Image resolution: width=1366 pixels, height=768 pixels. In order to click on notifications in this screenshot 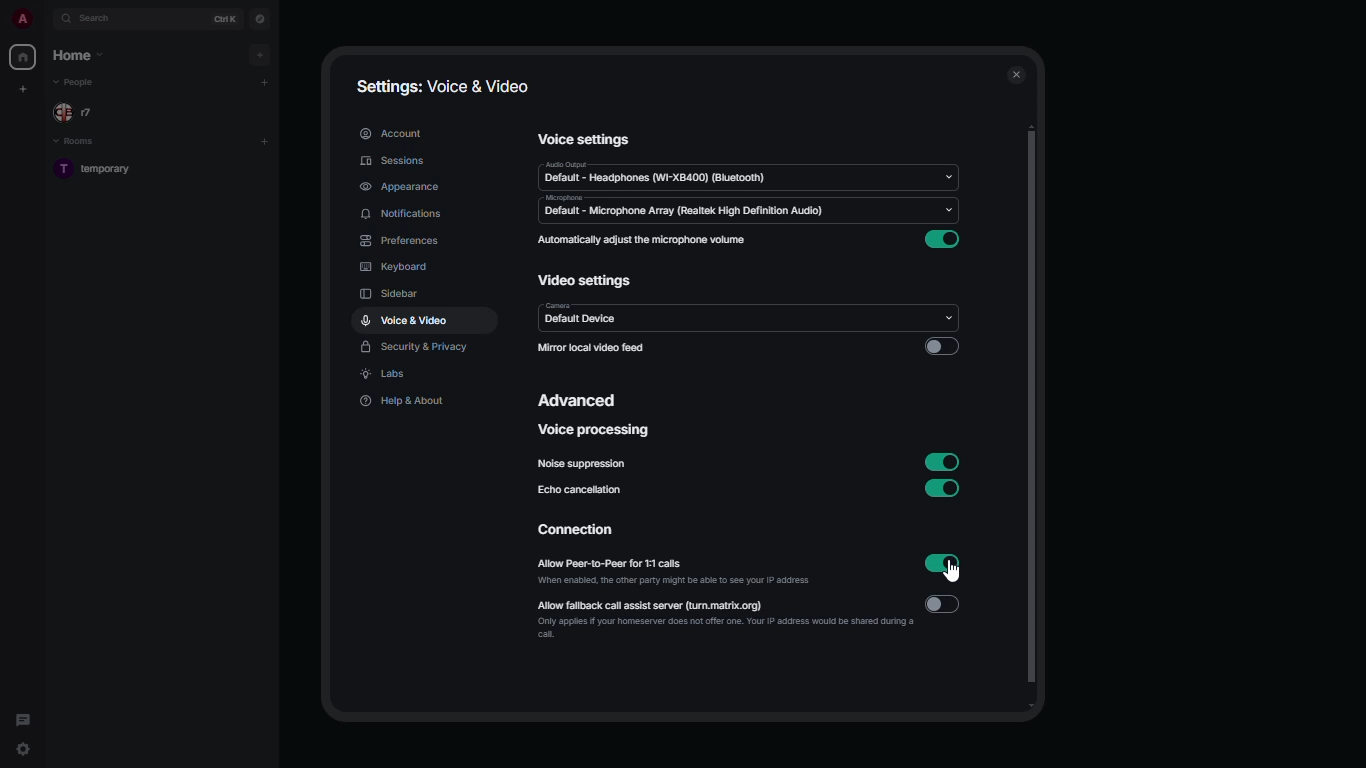, I will do `click(402, 215)`.